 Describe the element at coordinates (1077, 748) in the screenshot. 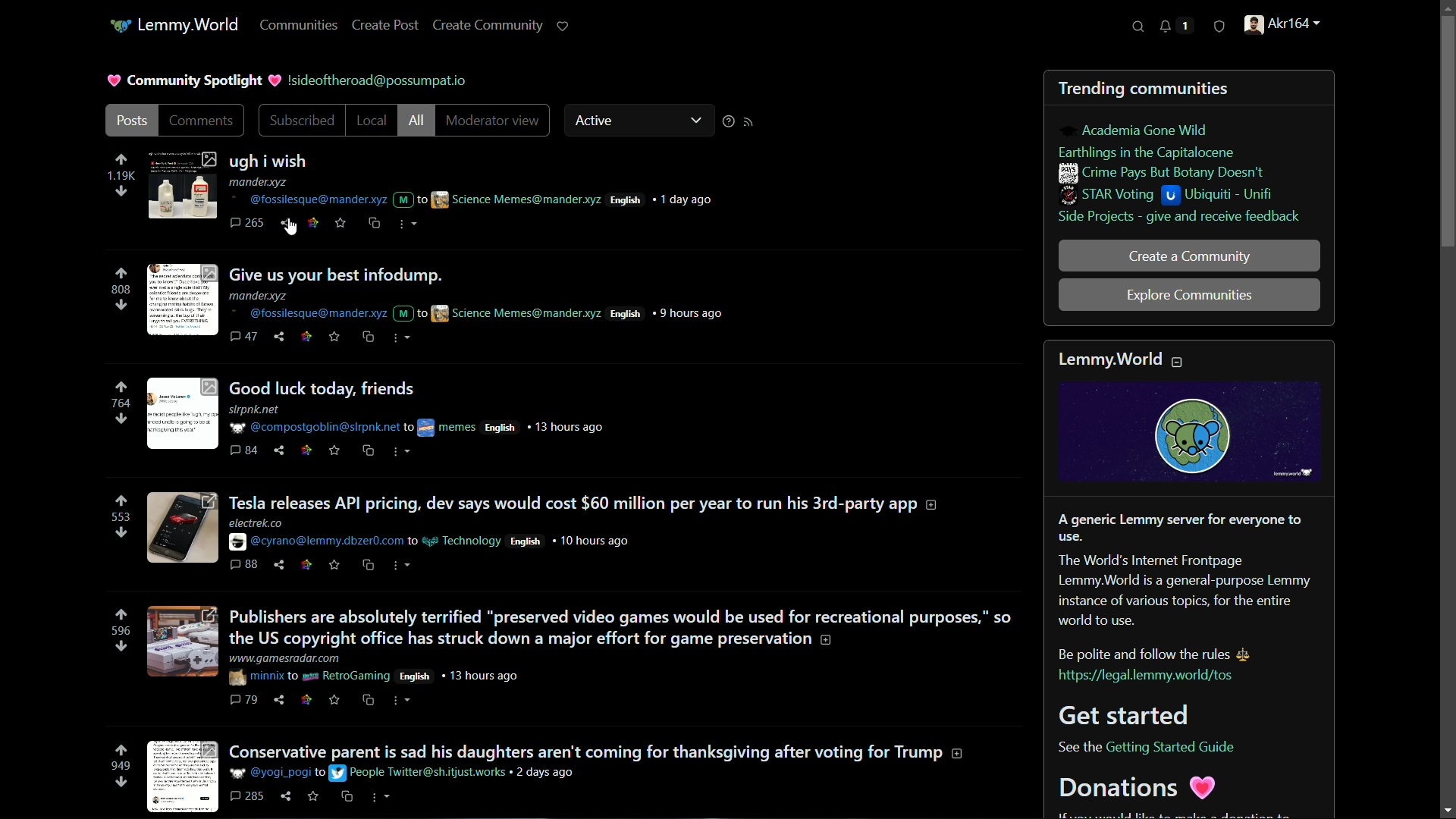

I see `See the` at that location.